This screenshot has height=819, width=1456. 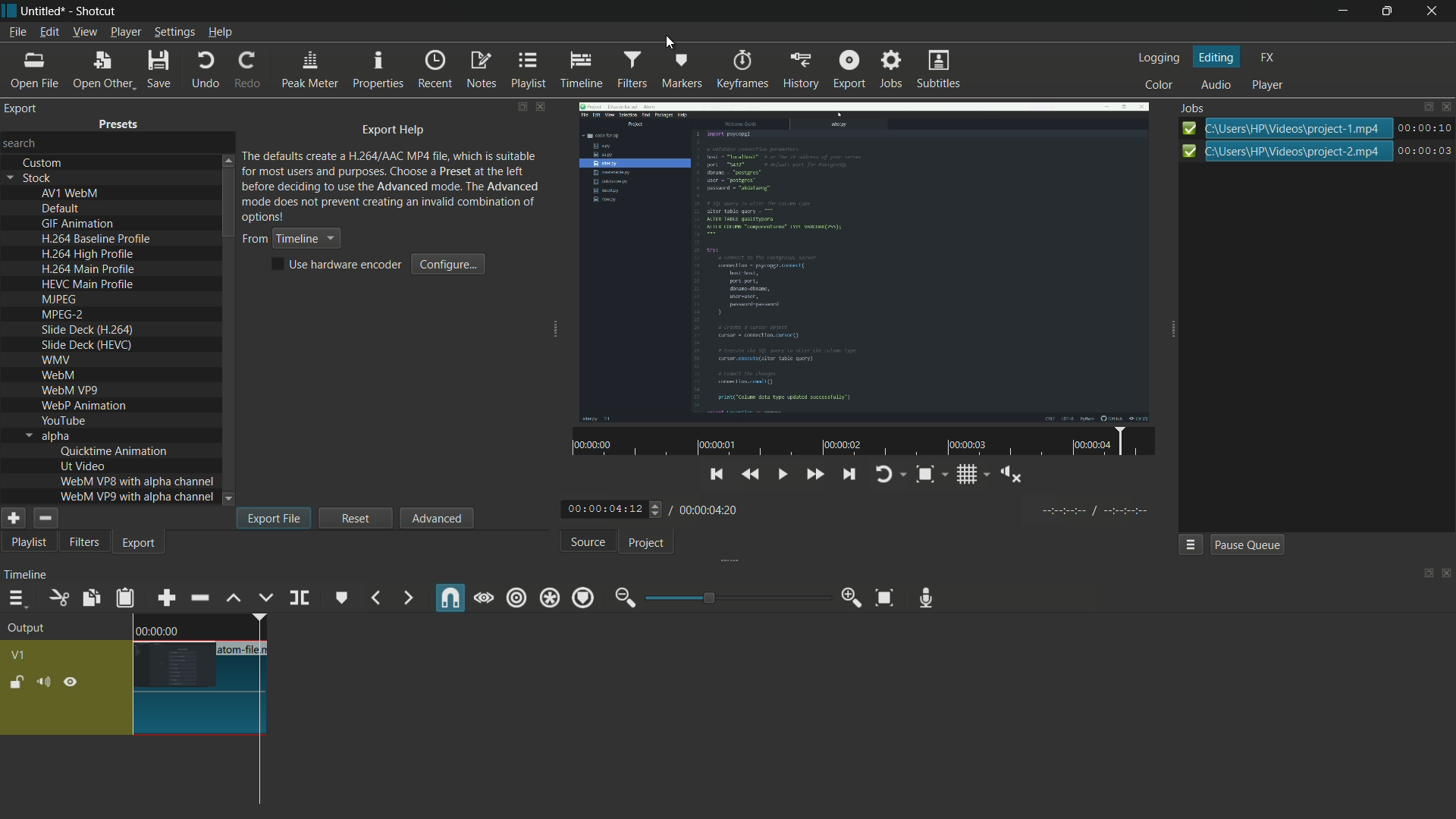 What do you see at coordinates (37, 68) in the screenshot?
I see `open file` at bounding box center [37, 68].